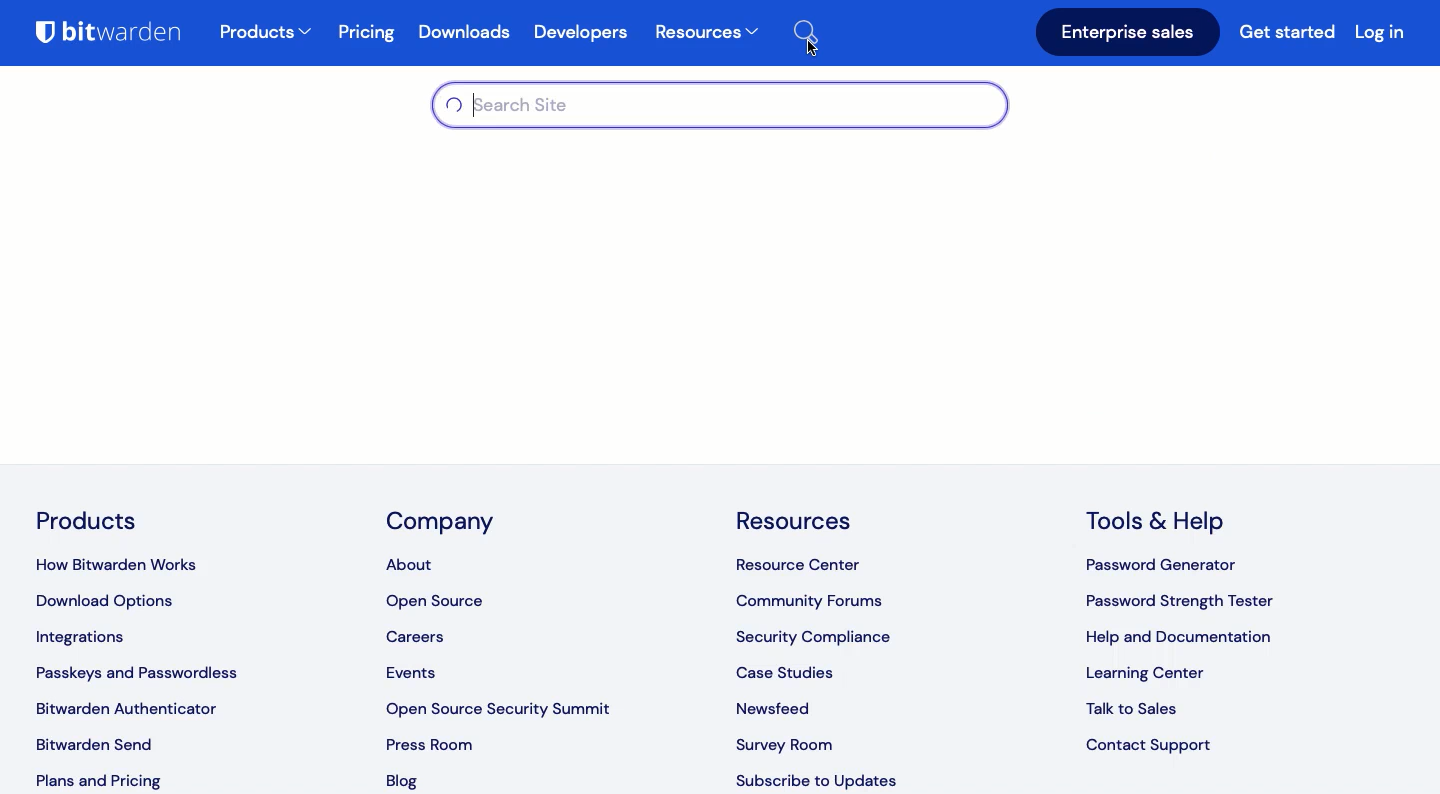 This screenshot has height=794, width=1440. What do you see at coordinates (113, 602) in the screenshot?
I see `download options` at bounding box center [113, 602].